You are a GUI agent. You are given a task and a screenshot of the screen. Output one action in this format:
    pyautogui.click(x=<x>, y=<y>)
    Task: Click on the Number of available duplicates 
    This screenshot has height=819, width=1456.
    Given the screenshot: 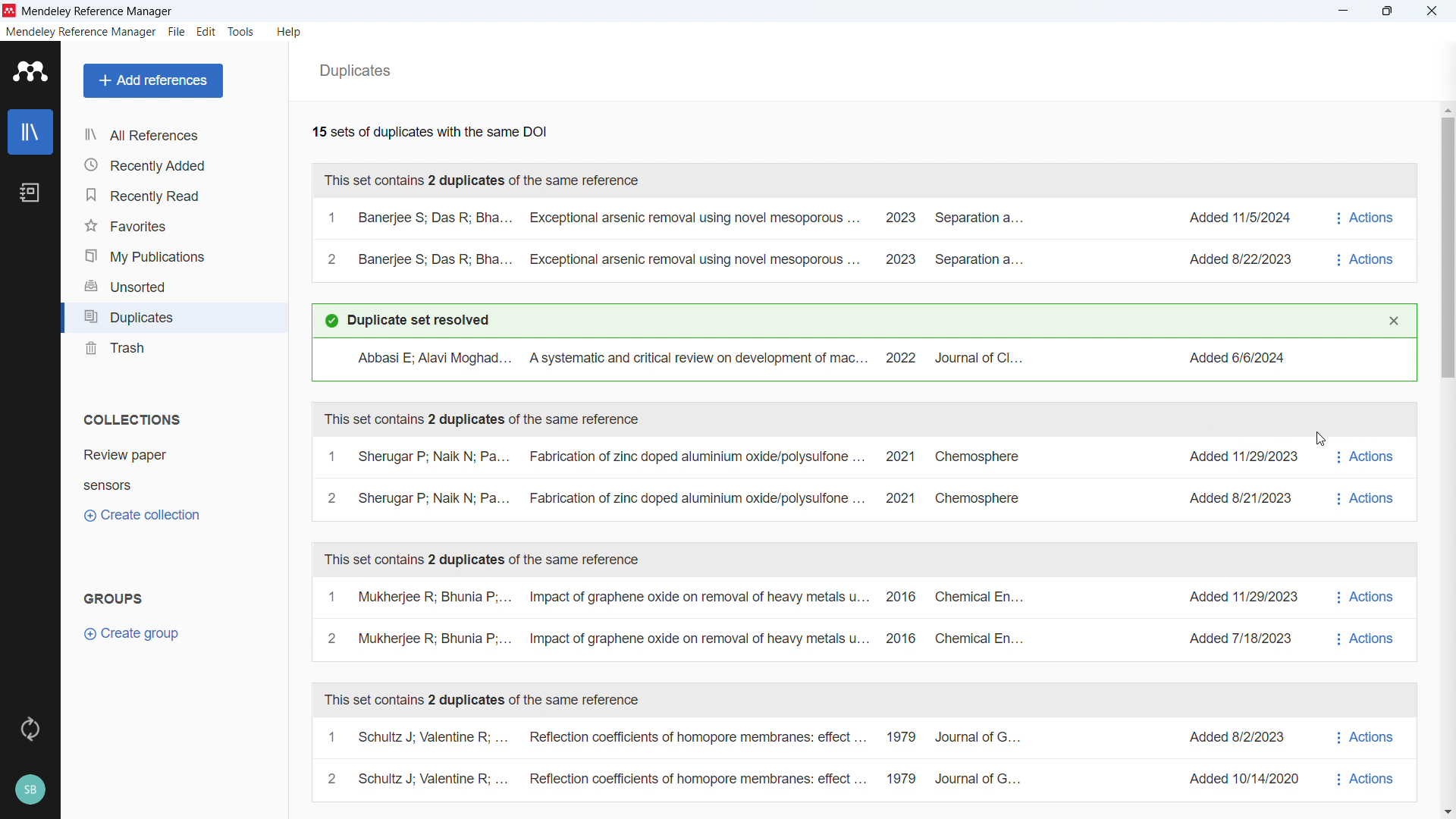 What is the action you would take?
    pyautogui.click(x=430, y=133)
    